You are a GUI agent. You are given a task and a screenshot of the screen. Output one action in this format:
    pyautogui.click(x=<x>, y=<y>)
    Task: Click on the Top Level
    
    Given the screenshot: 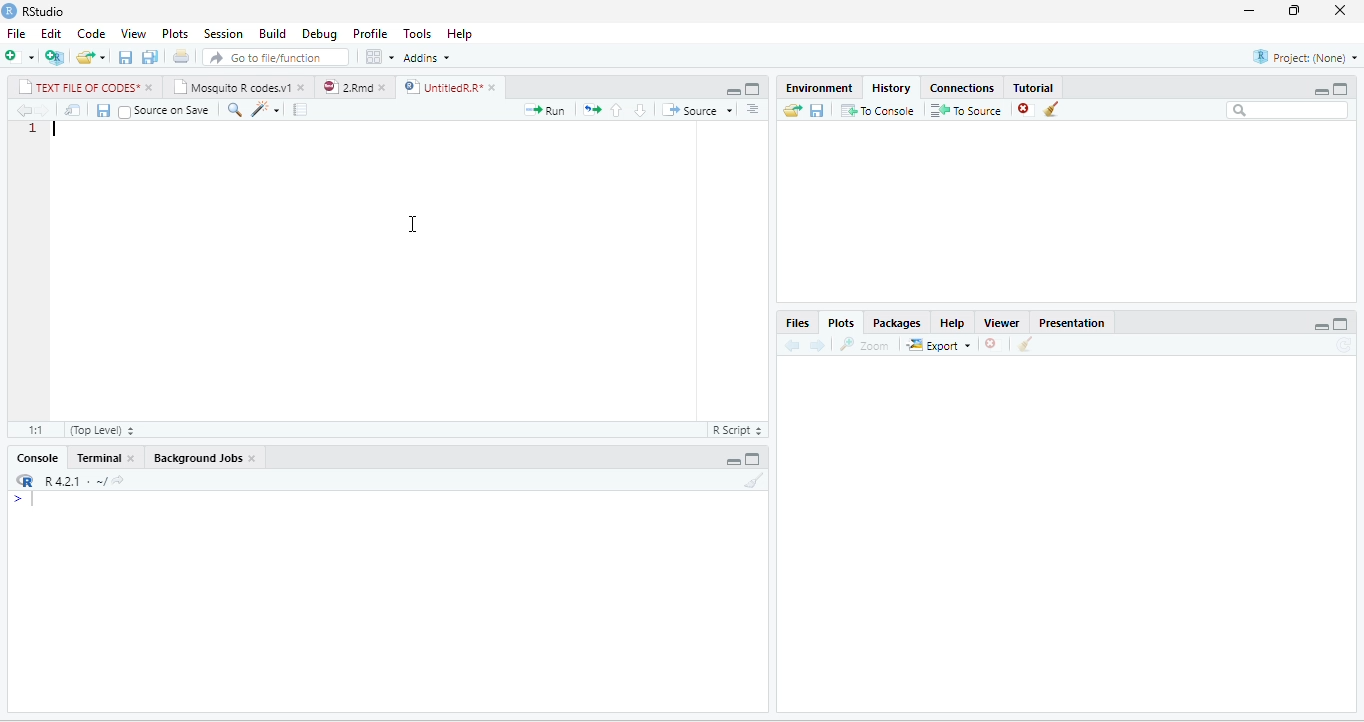 What is the action you would take?
    pyautogui.click(x=102, y=429)
    